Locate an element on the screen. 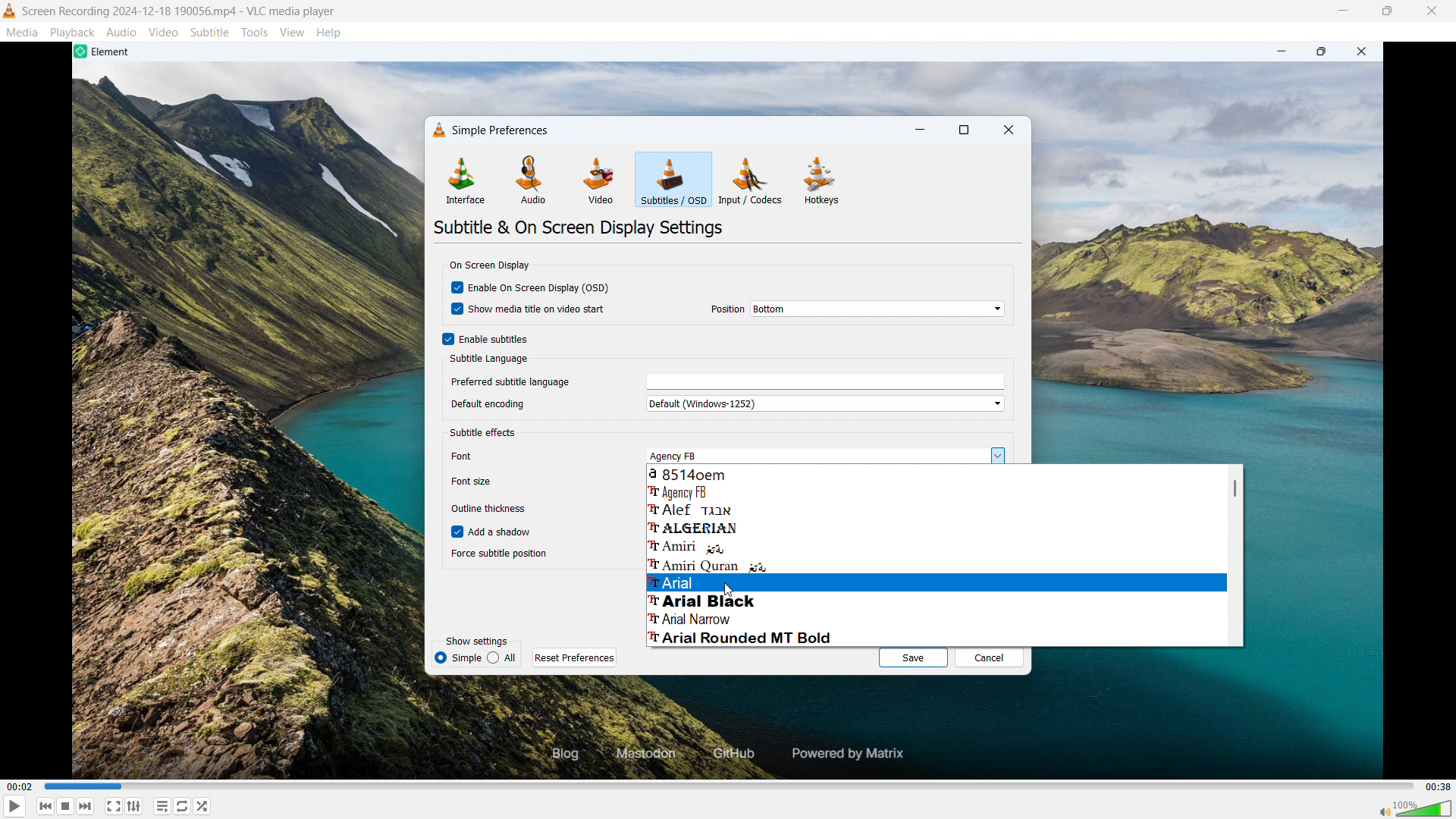 The image size is (1456, 819). time bar is located at coordinates (730, 786).